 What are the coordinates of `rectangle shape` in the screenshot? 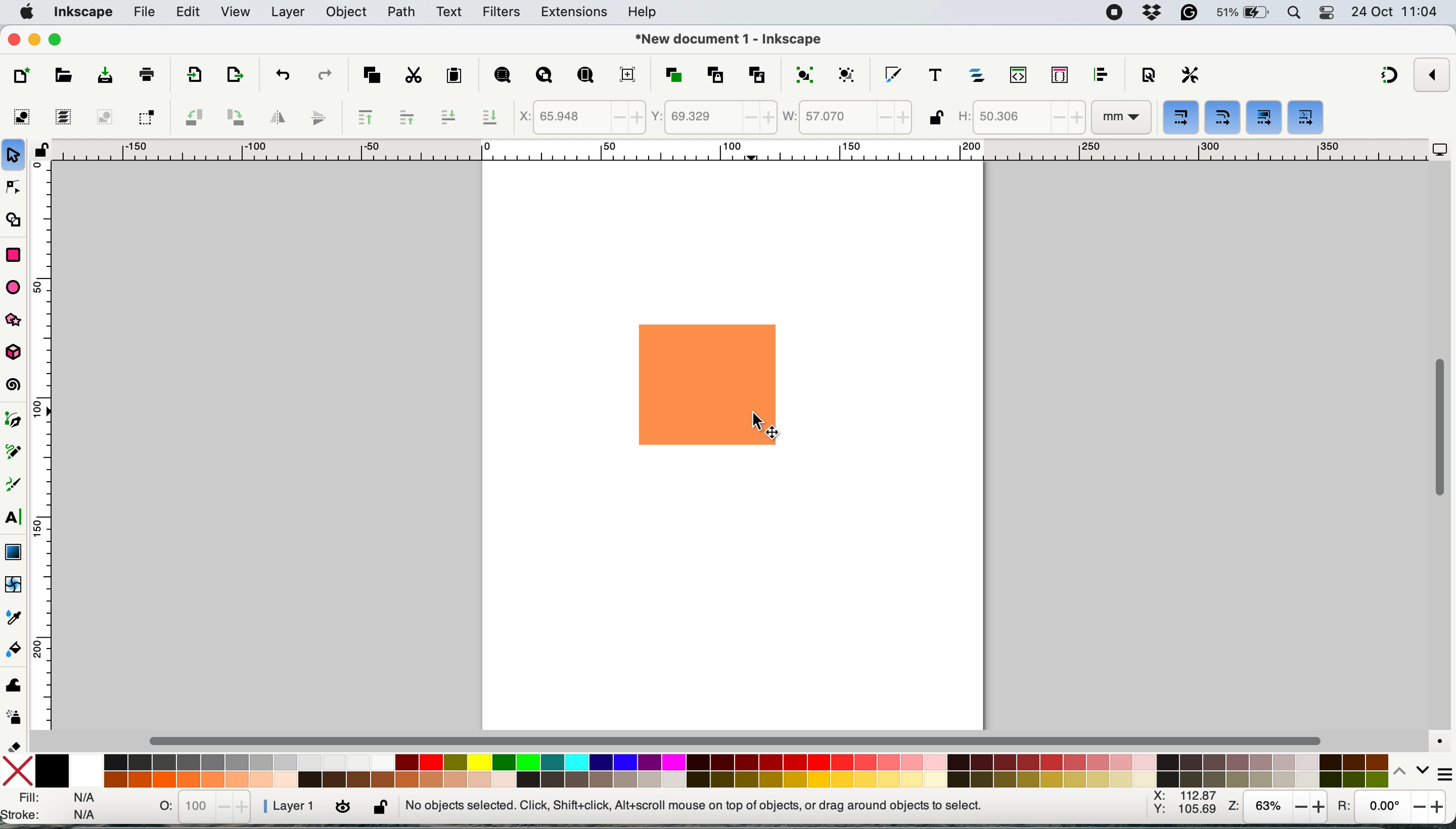 It's located at (706, 385).